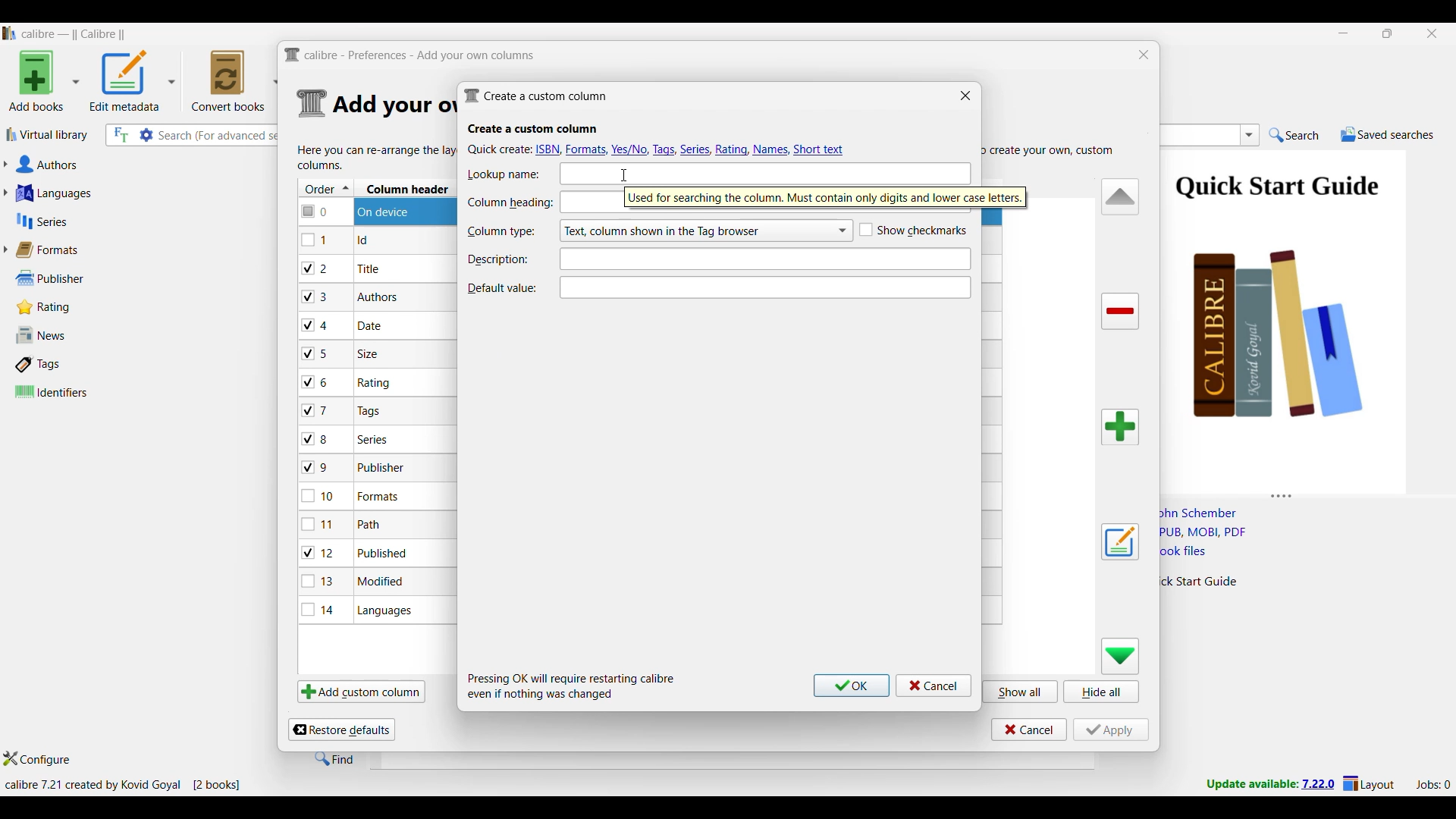  What do you see at coordinates (535, 96) in the screenshot?
I see `Window name` at bounding box center [535, 96].